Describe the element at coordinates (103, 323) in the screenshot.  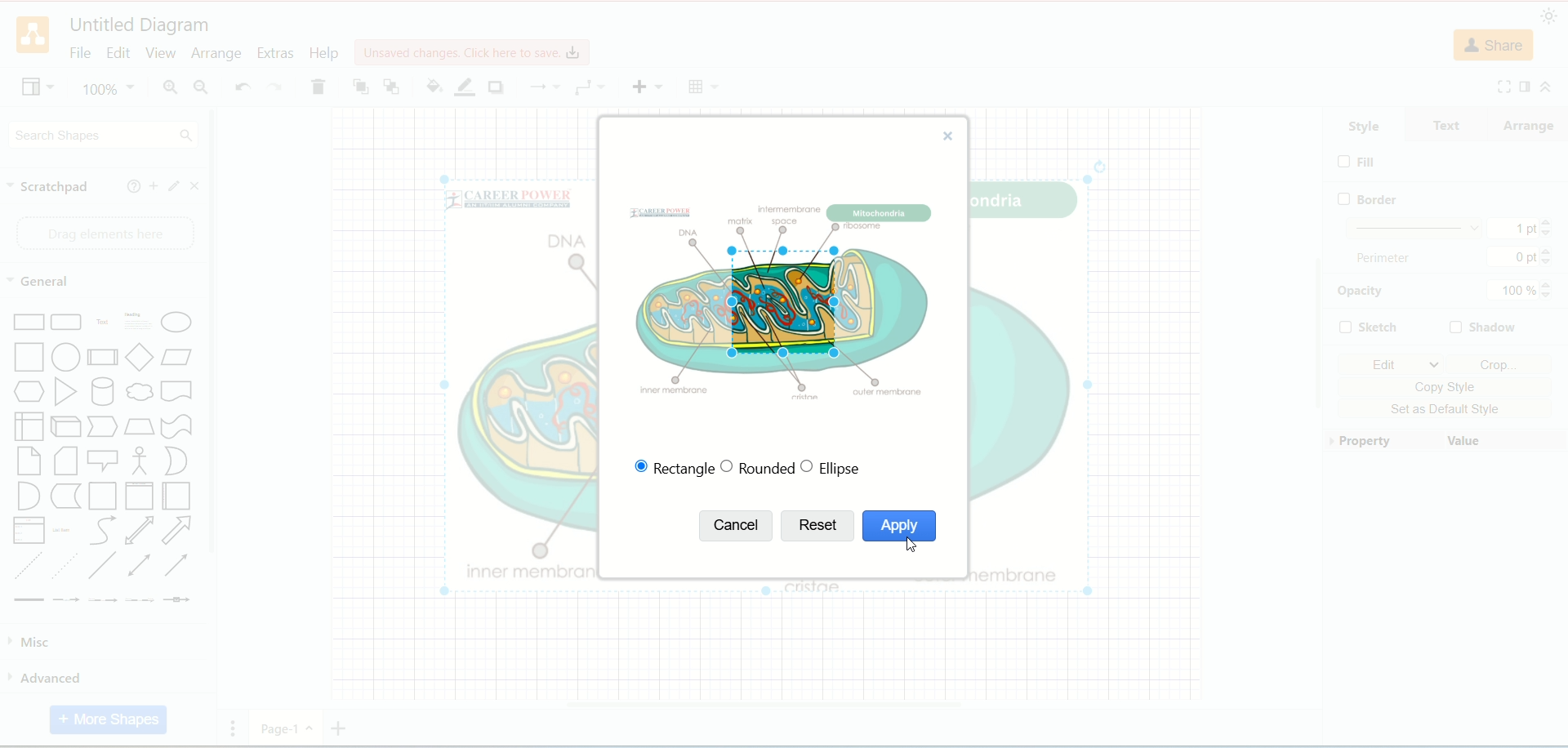
I see `Text` at that location.